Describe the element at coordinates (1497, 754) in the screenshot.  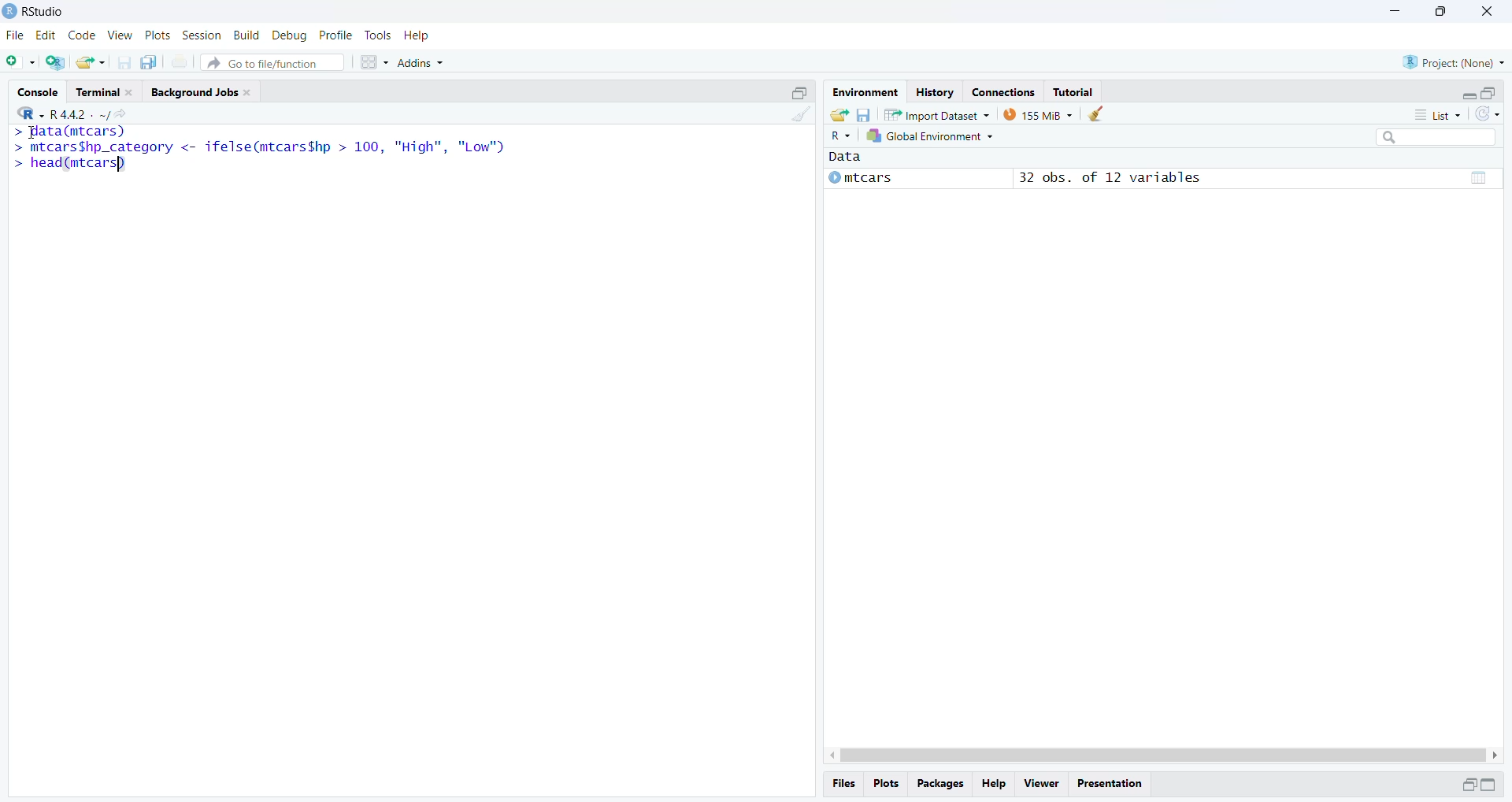
I see `Right` at that location.